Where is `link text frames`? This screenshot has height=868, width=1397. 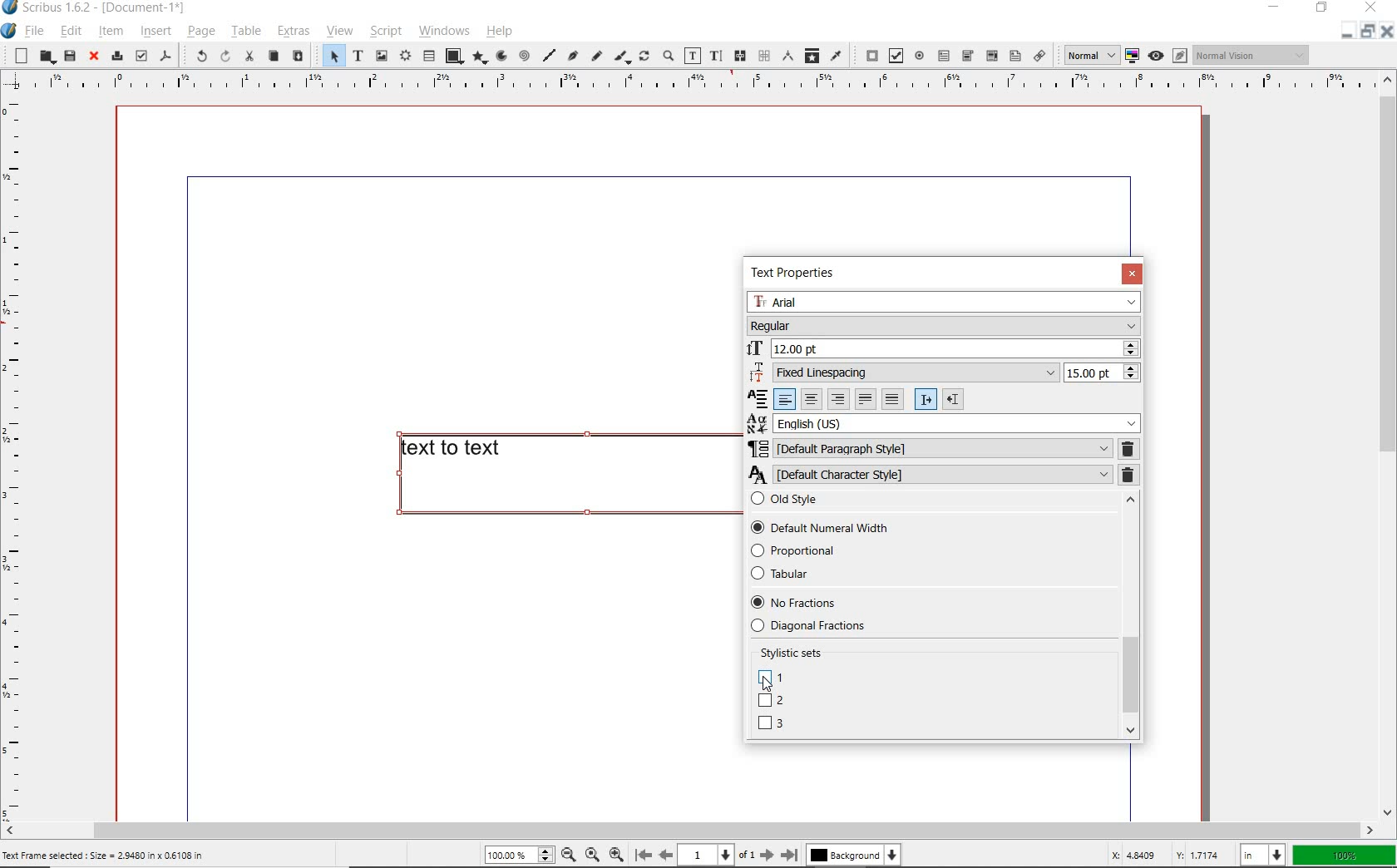
link text frames is located at coordinates (738, 56).